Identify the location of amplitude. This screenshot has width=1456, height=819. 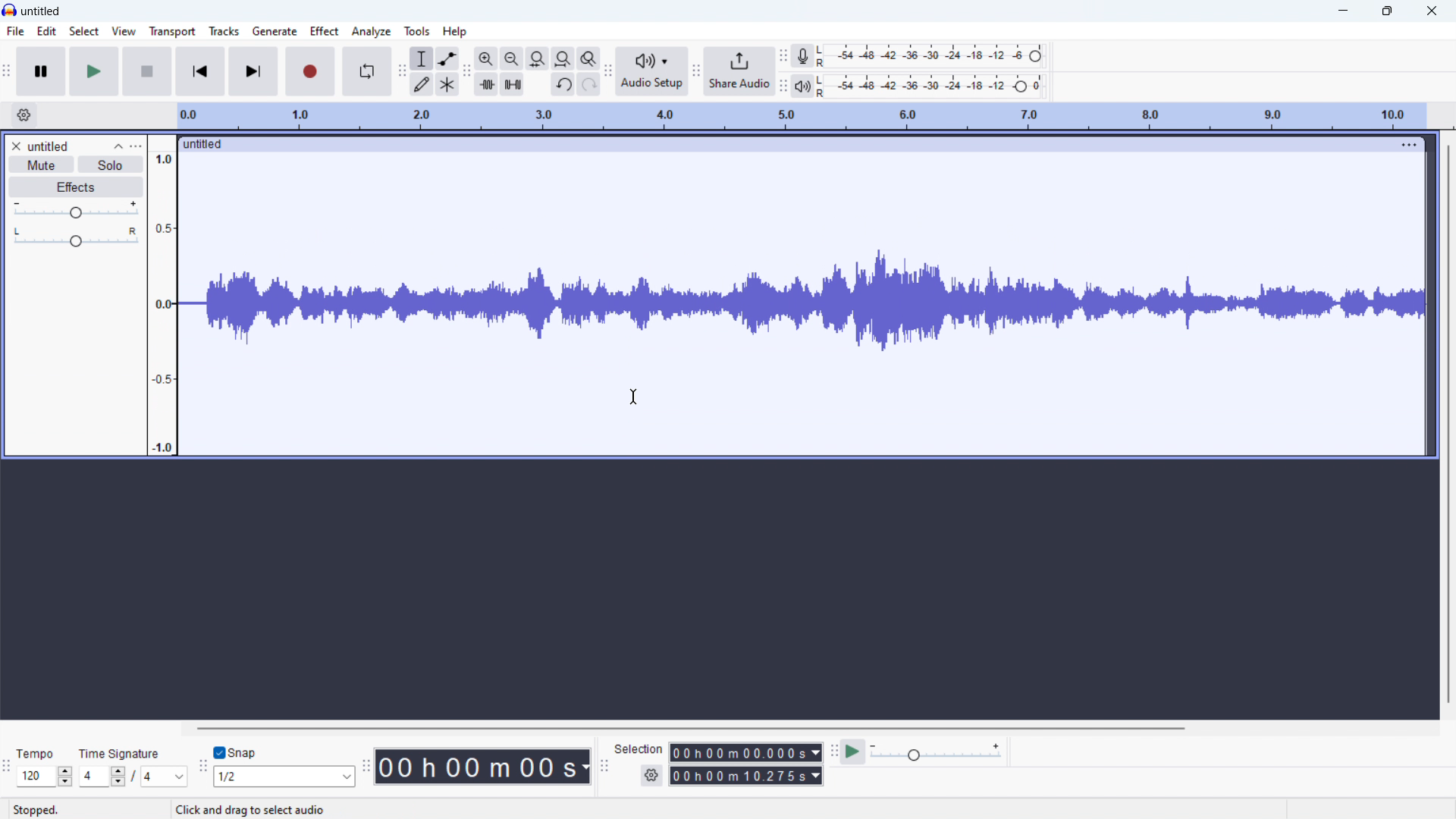
(161, 294).